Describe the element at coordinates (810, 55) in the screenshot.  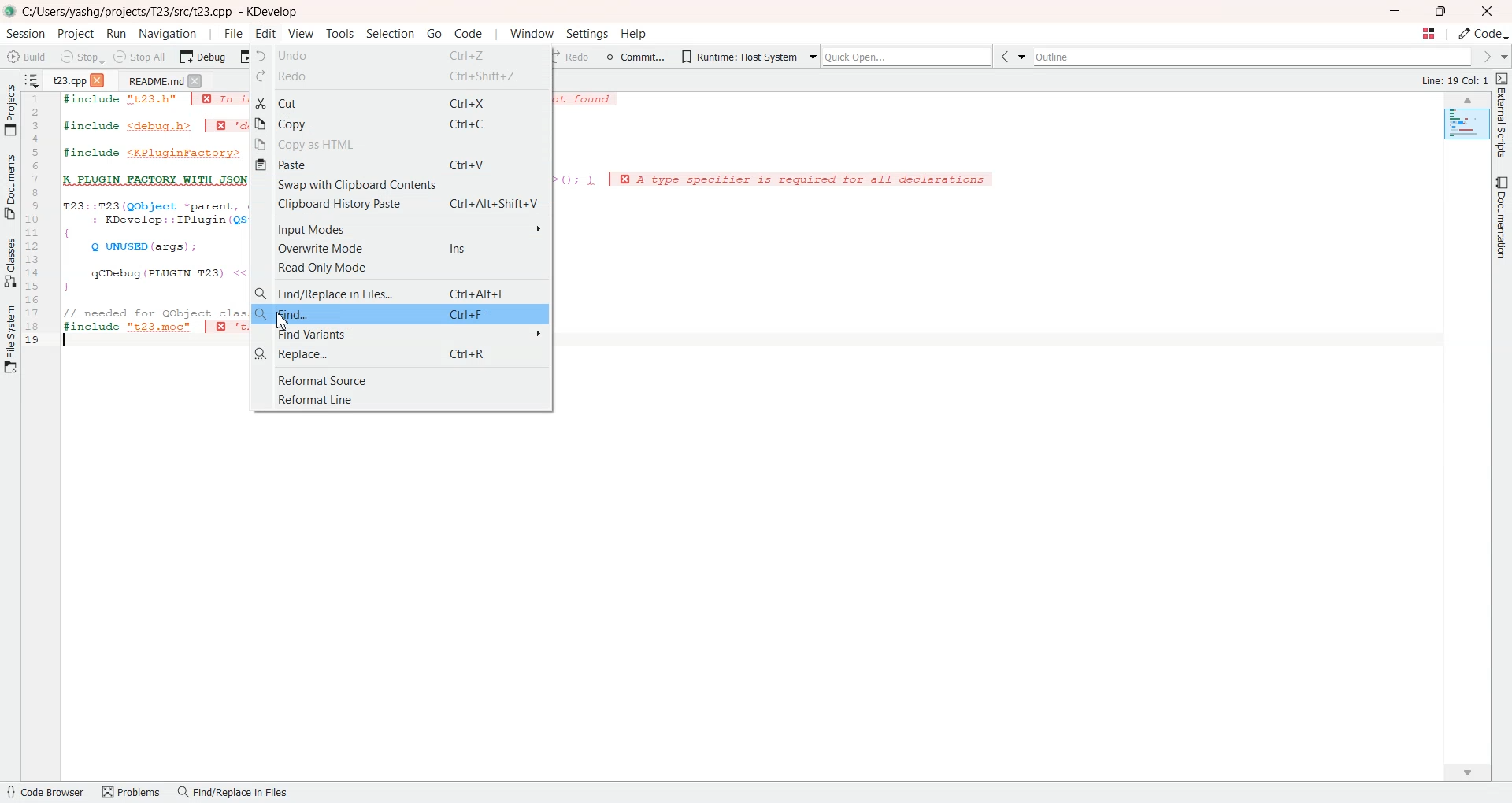
I see `Drop down box` at that location.